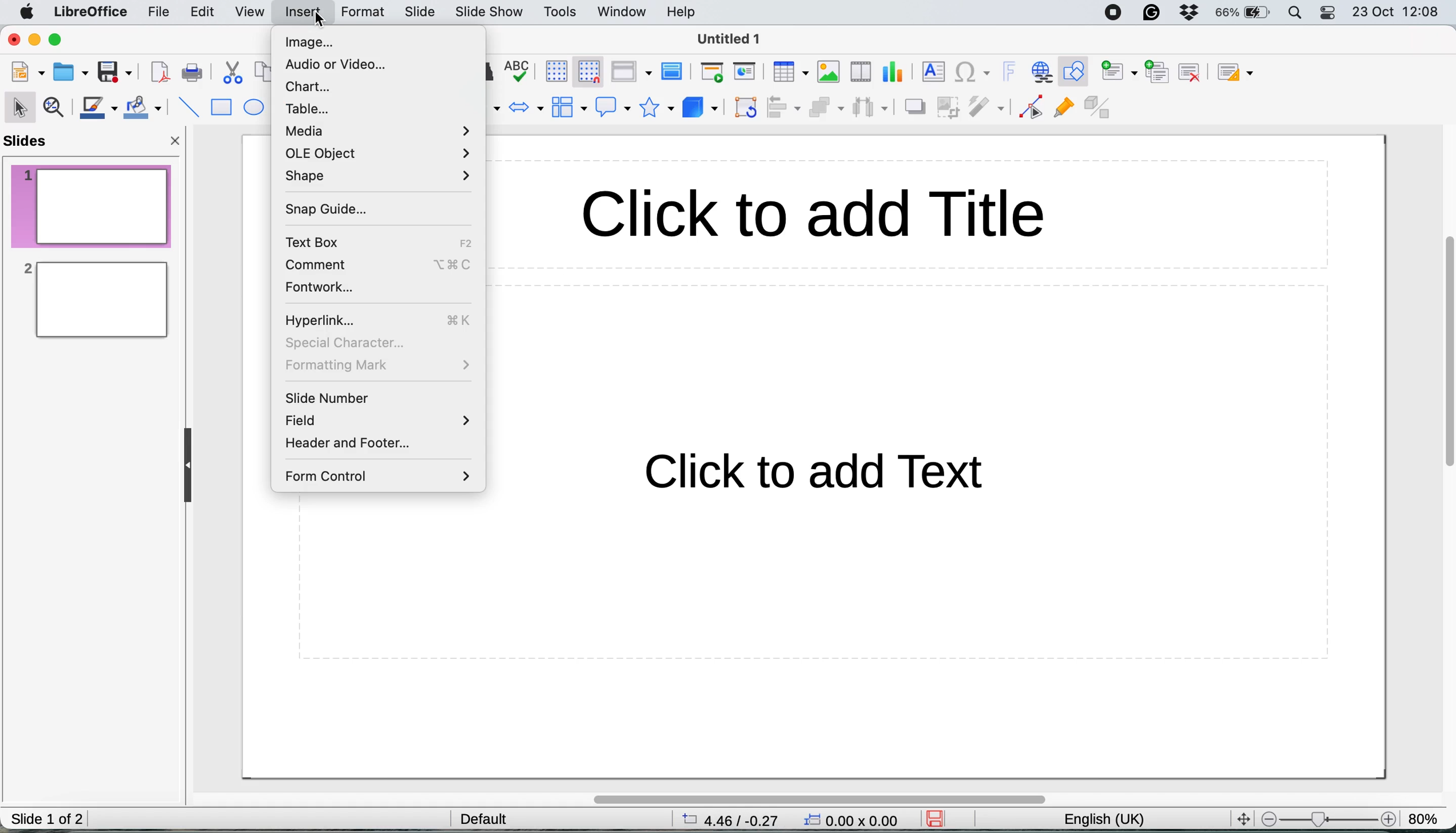 The image size is (1456, 833). I want to click on comment, so click(326, 264).